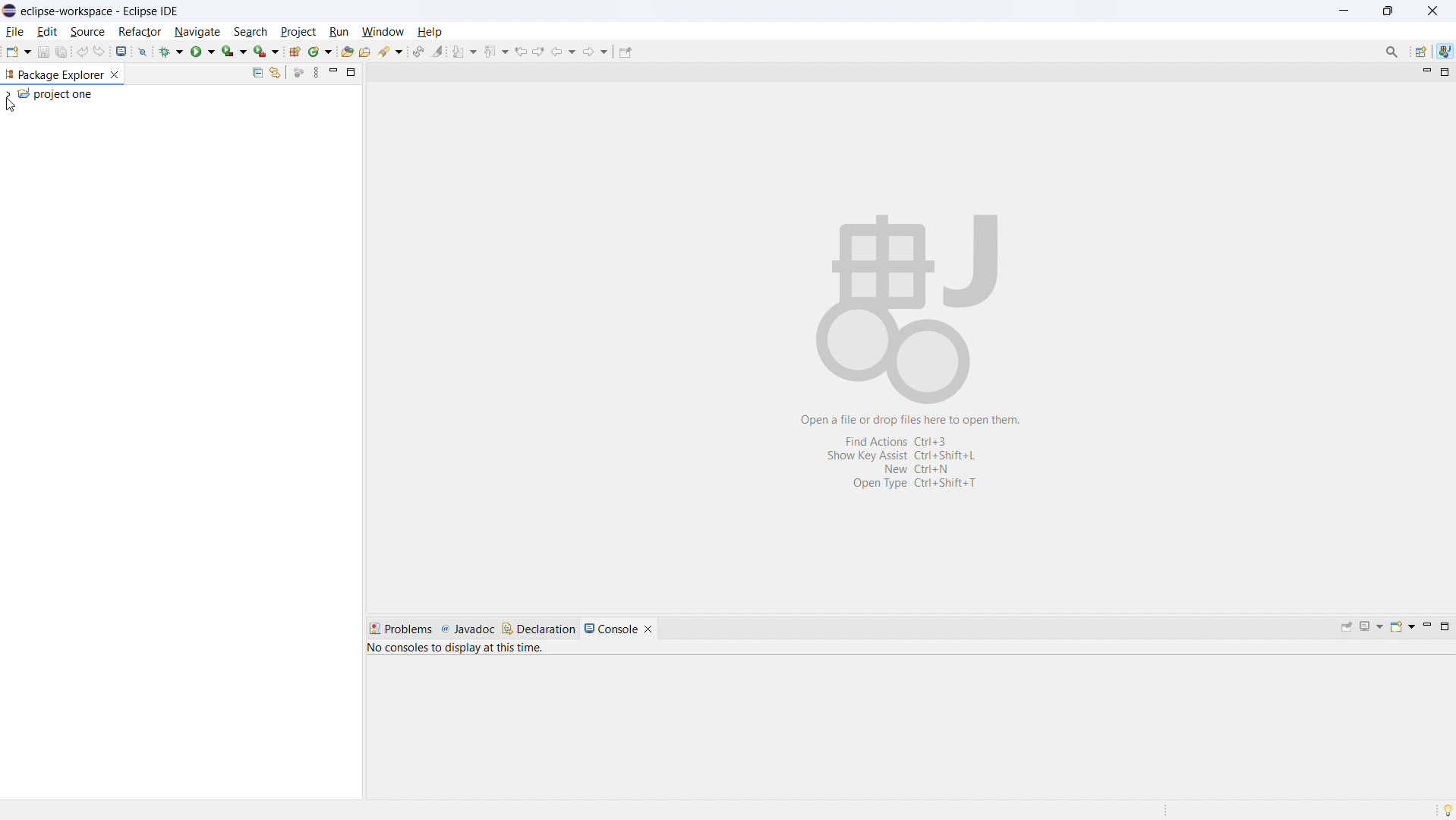  I want to click on expand, so click(8, 93).